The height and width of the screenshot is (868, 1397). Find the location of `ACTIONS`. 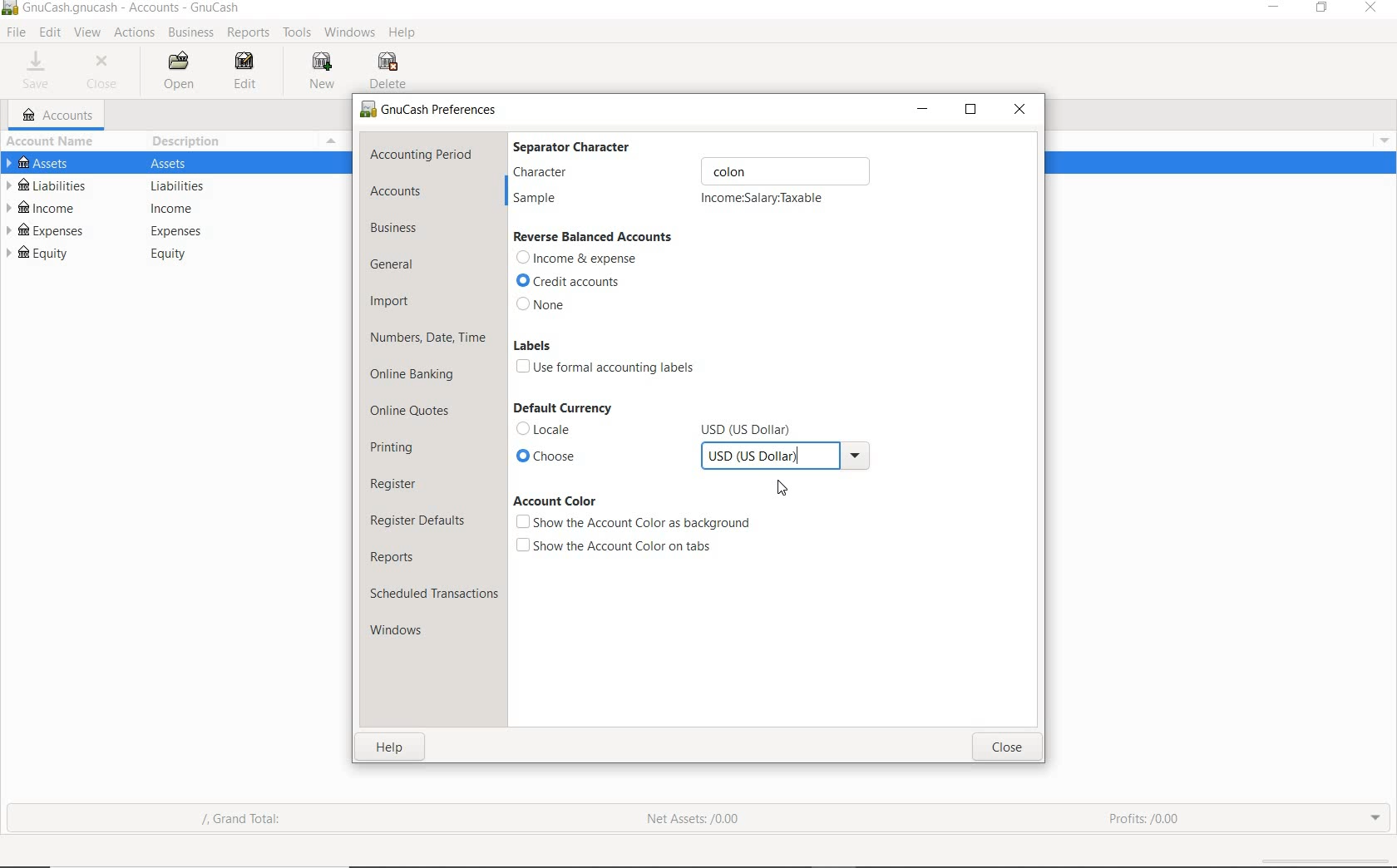

ACTIONS is located at coordinates (134, 33).